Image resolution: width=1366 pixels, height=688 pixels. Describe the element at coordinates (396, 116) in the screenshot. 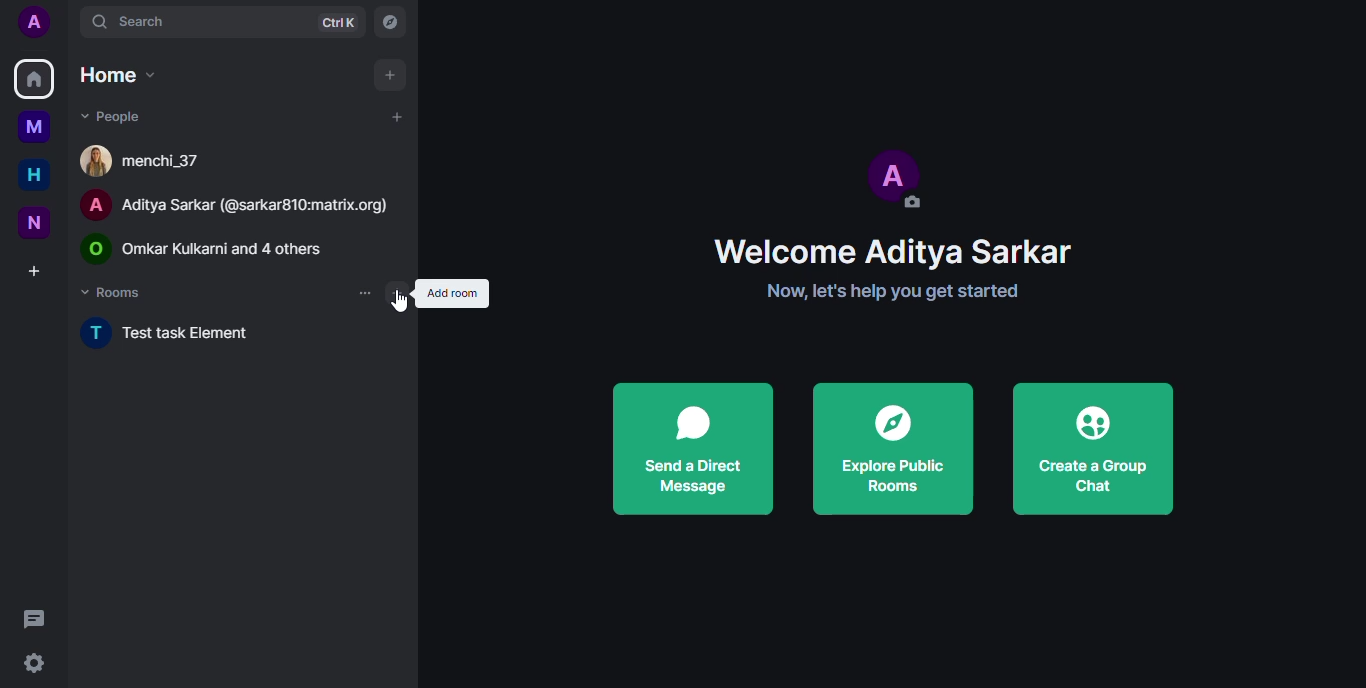

I see `add` at that location.